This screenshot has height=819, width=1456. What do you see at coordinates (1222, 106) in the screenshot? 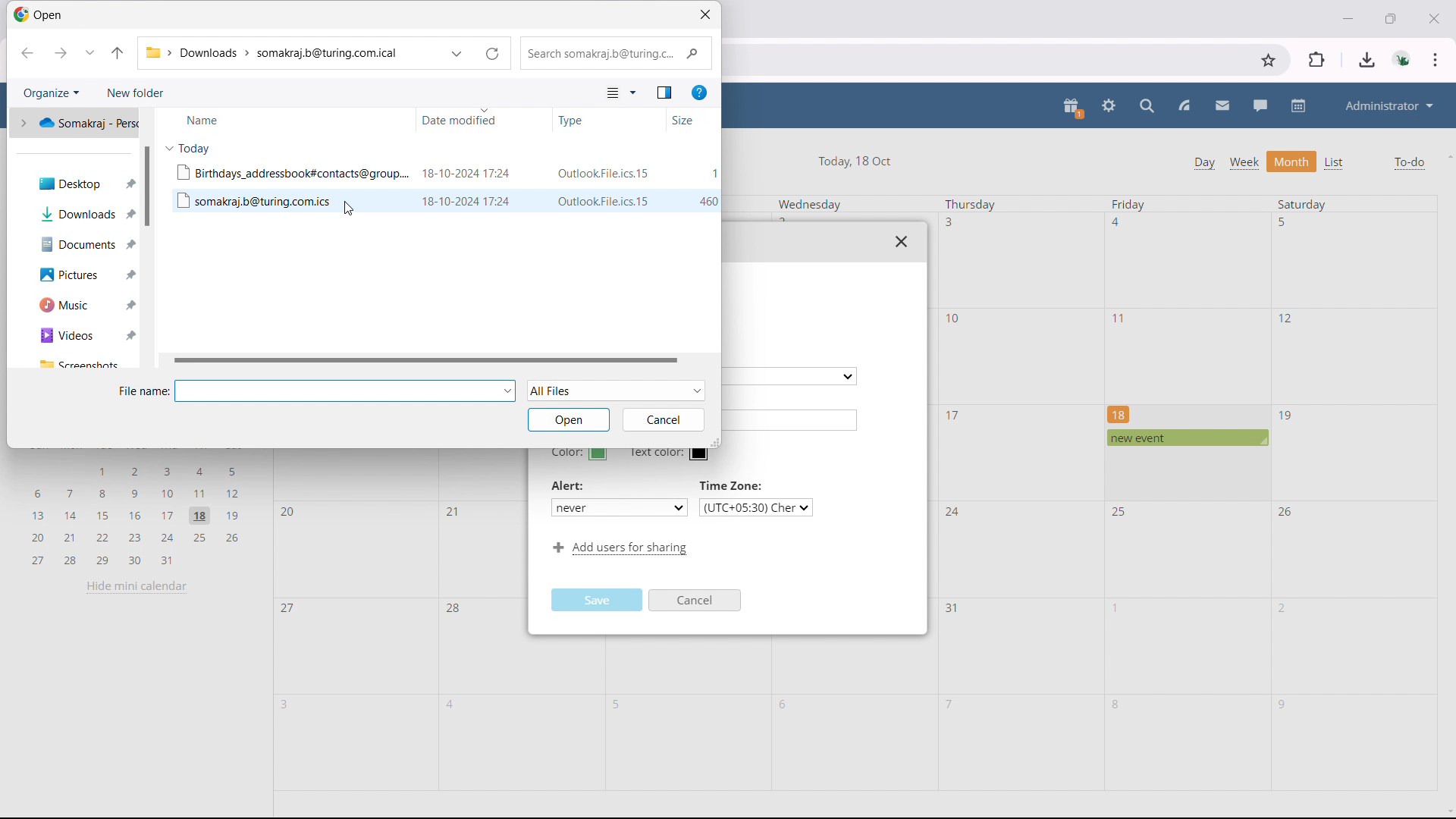
I see `mail` at bounding box center [1222, 106].